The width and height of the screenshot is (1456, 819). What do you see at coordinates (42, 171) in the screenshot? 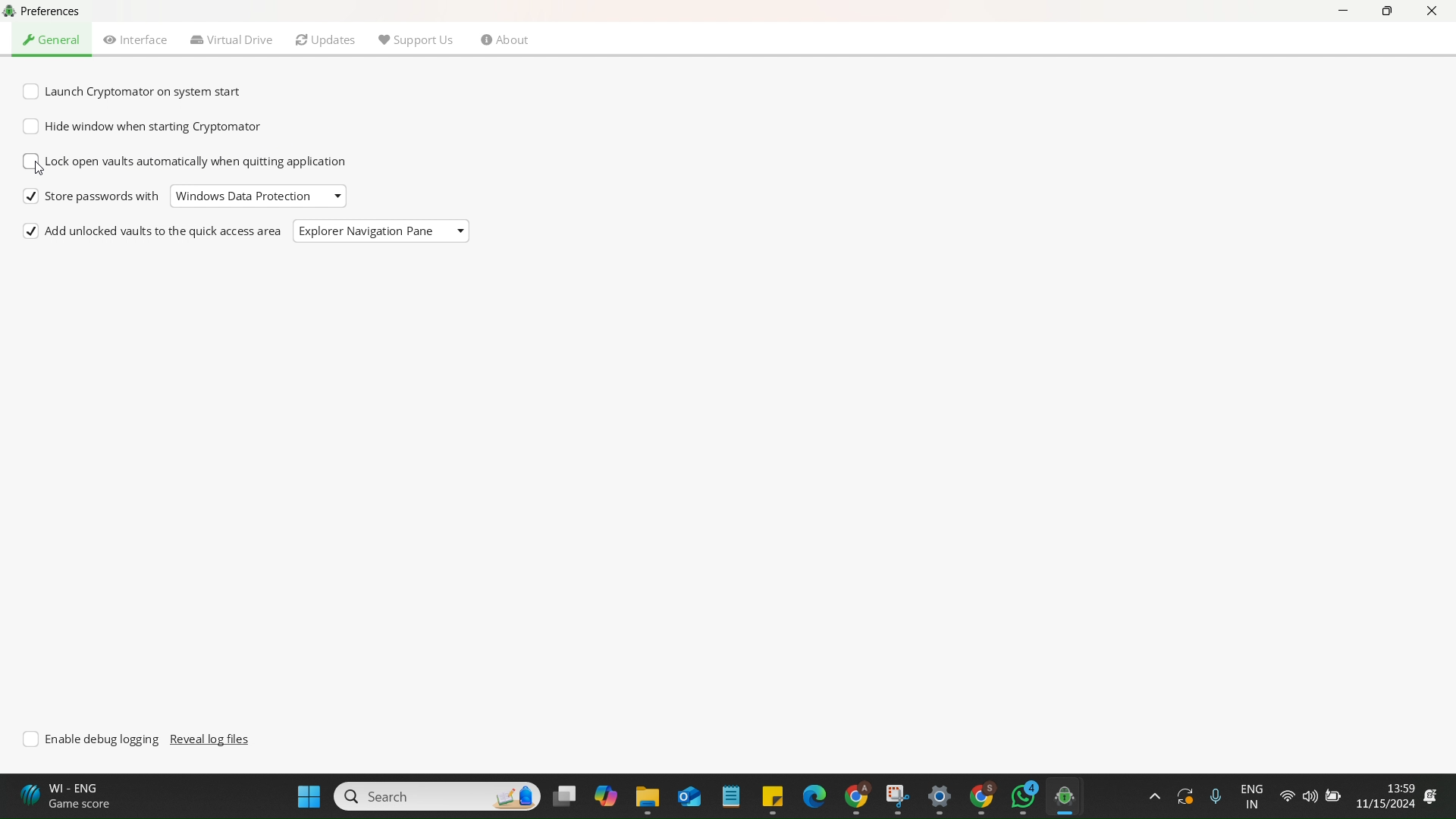
I see `Cursor` at bounding box center [42, 171].